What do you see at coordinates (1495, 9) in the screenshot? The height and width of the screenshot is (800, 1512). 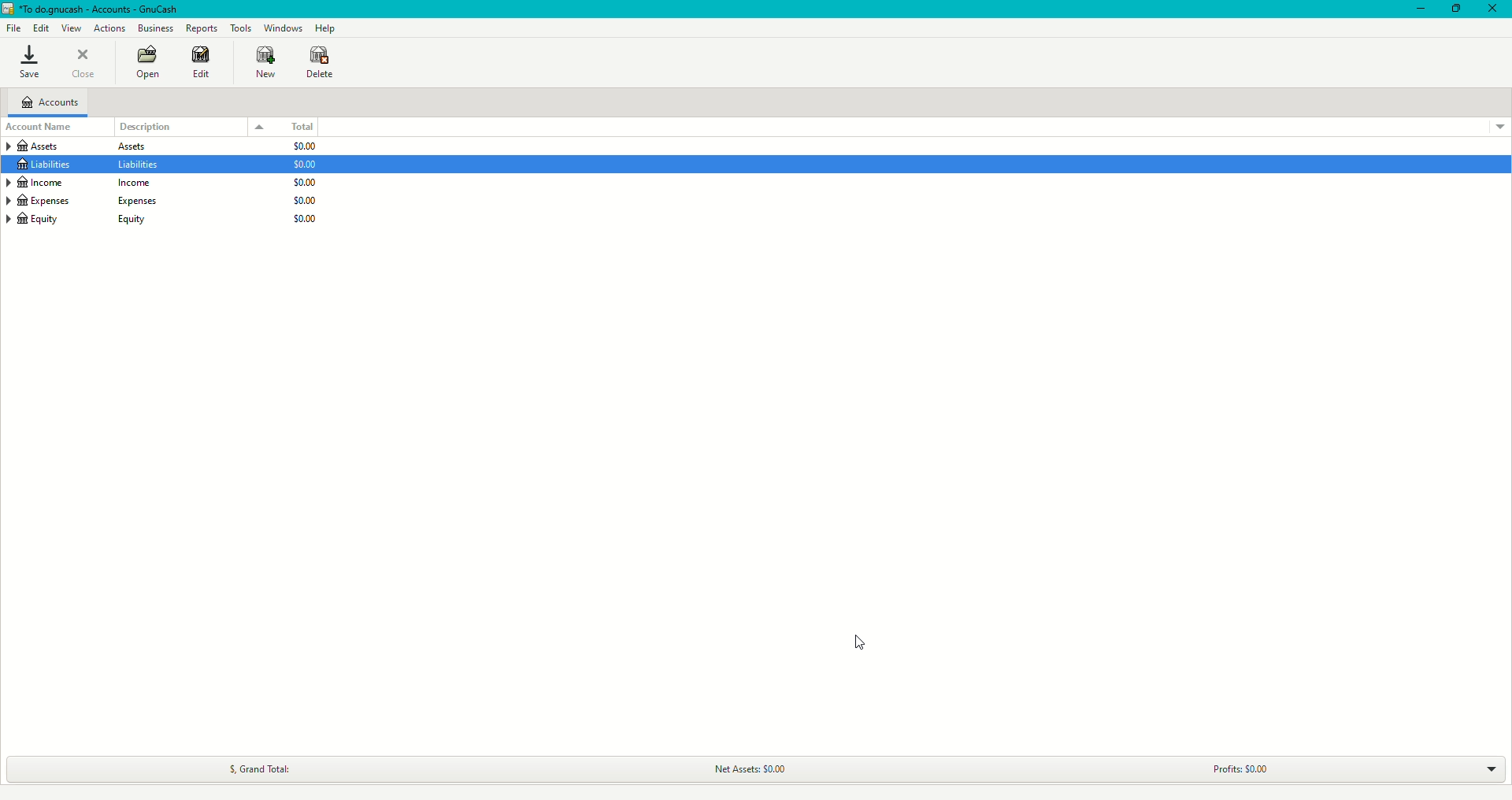 I see `Close` at bounding box center [1495, 9].